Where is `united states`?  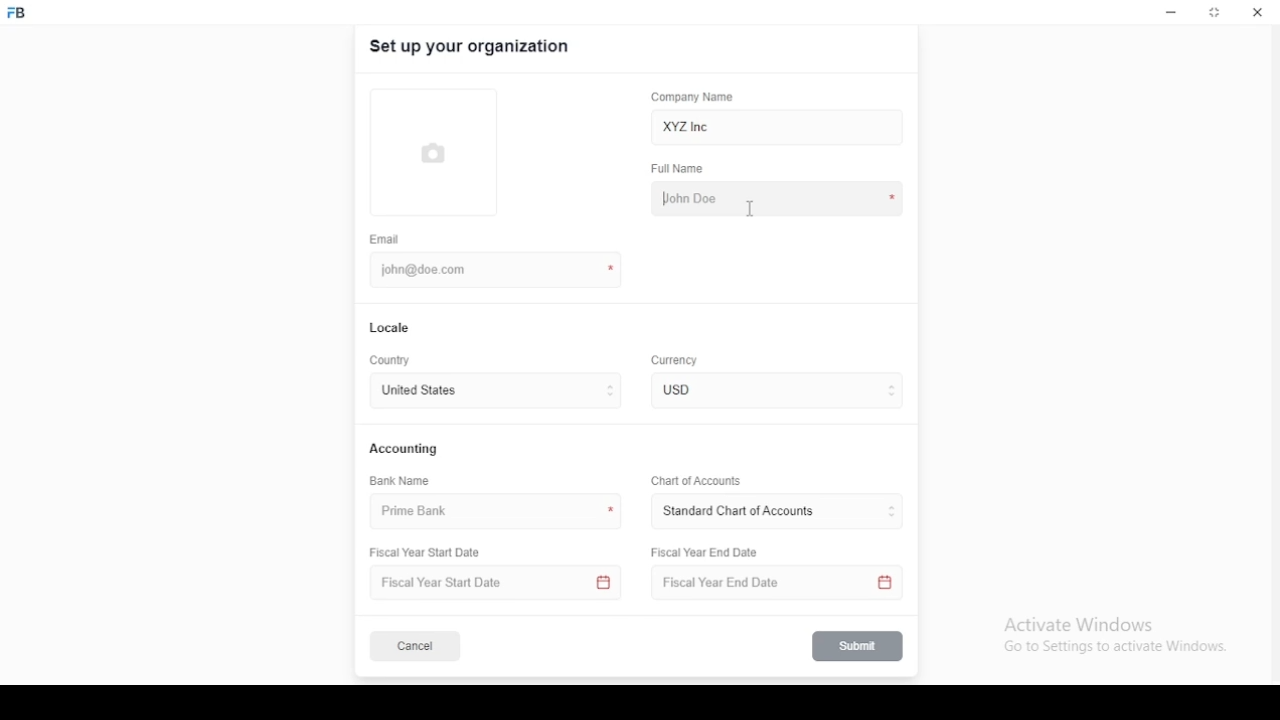 united states is located at coordinates (418, 392).